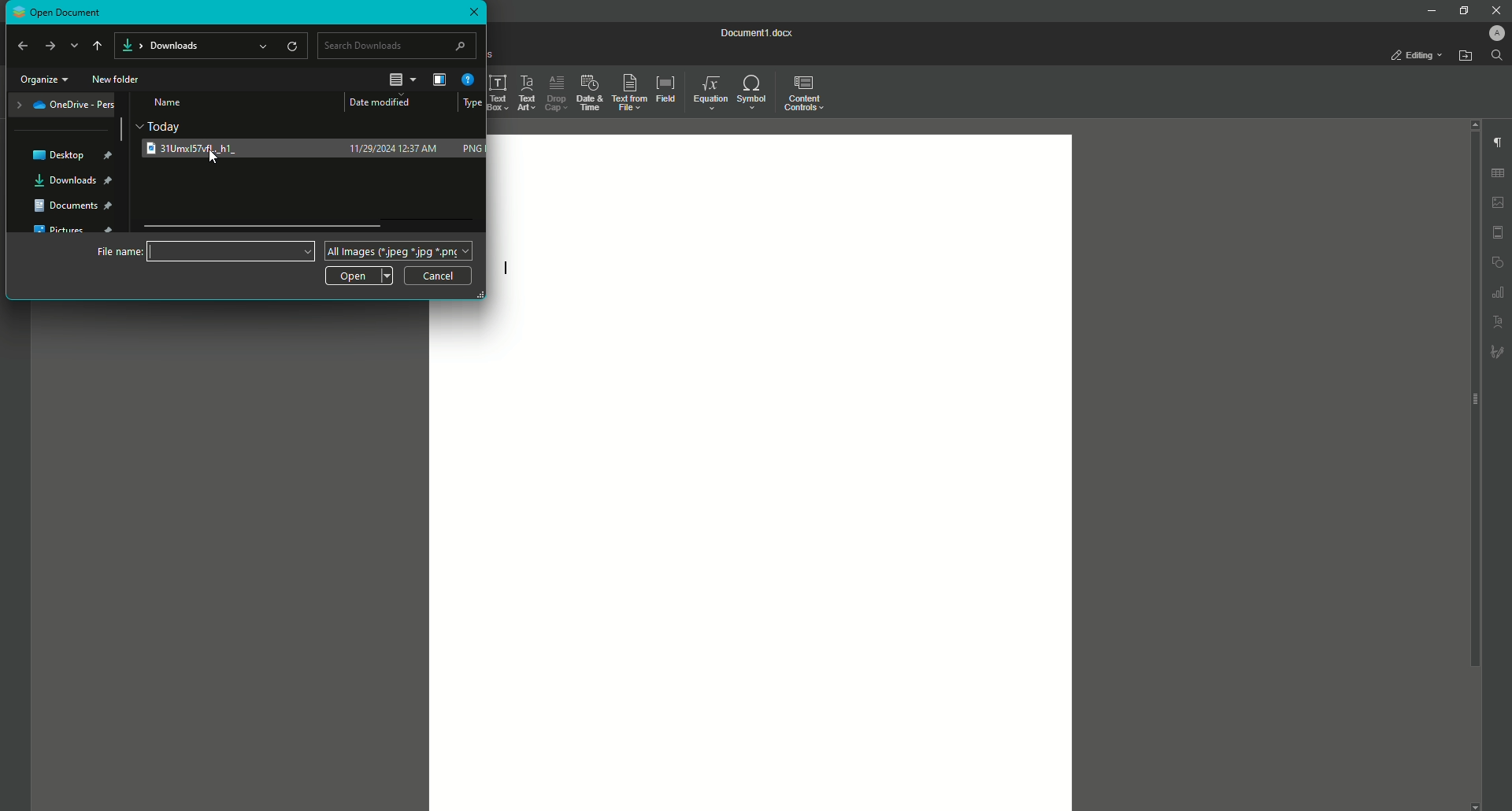 The height and width of the screenshot is (811, 1512). Describe the element at coordinates (96, 48) in the screenshot. I see `Move Up` at that location.